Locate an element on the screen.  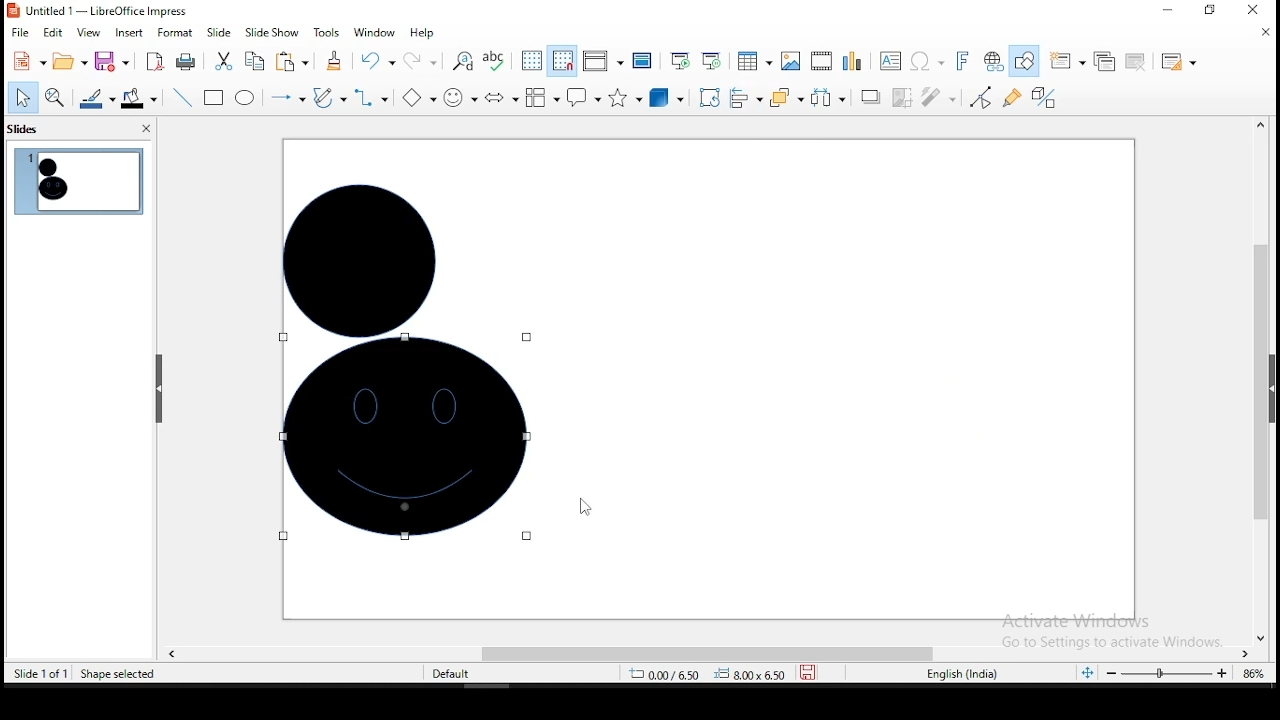
0.00x0.00 is located at coordinates (751, 674).